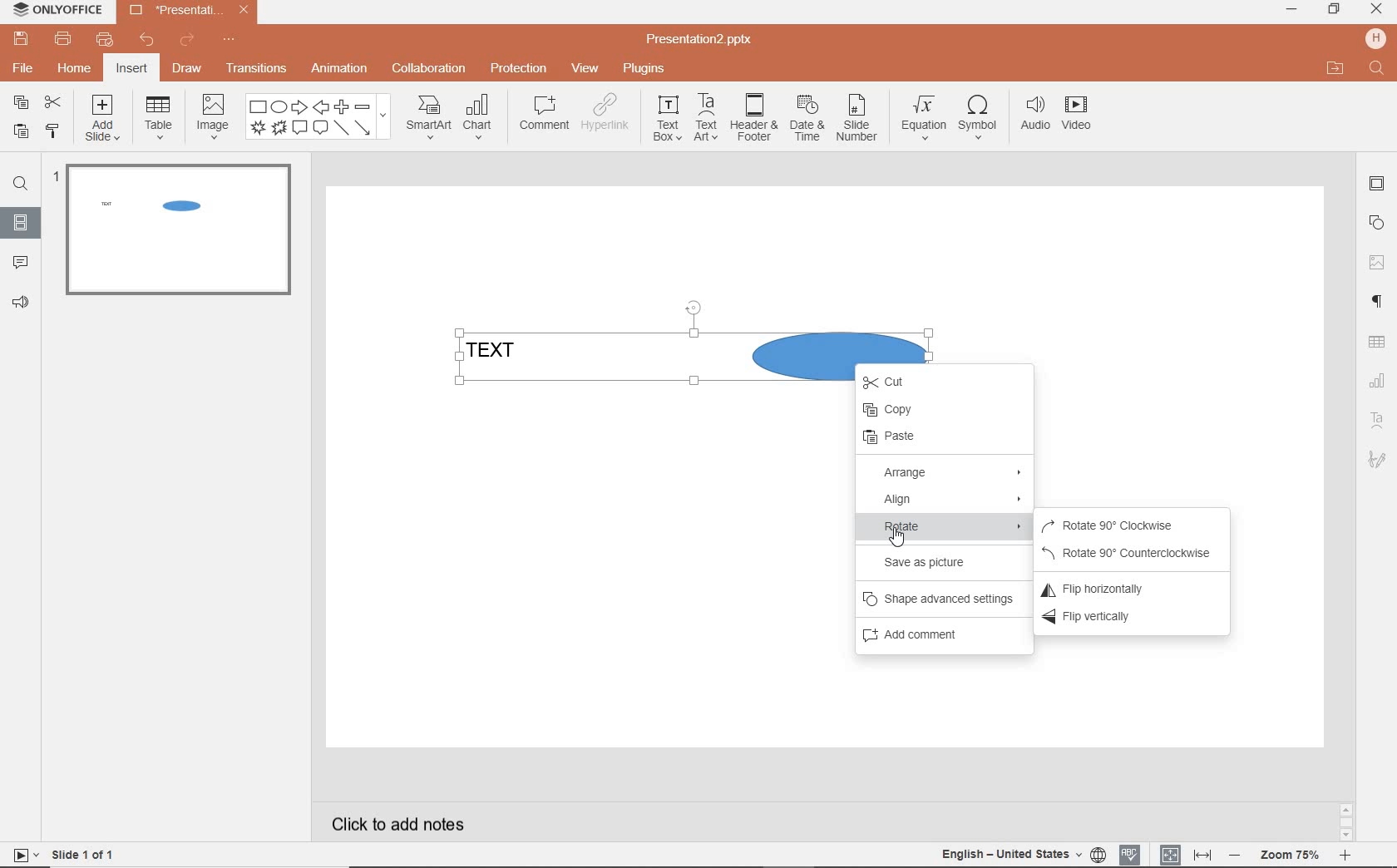 The width and height of the screenshot is (1397, 868). I want to click on TEXT & SHAPE GROUPED, so click(613, 358).